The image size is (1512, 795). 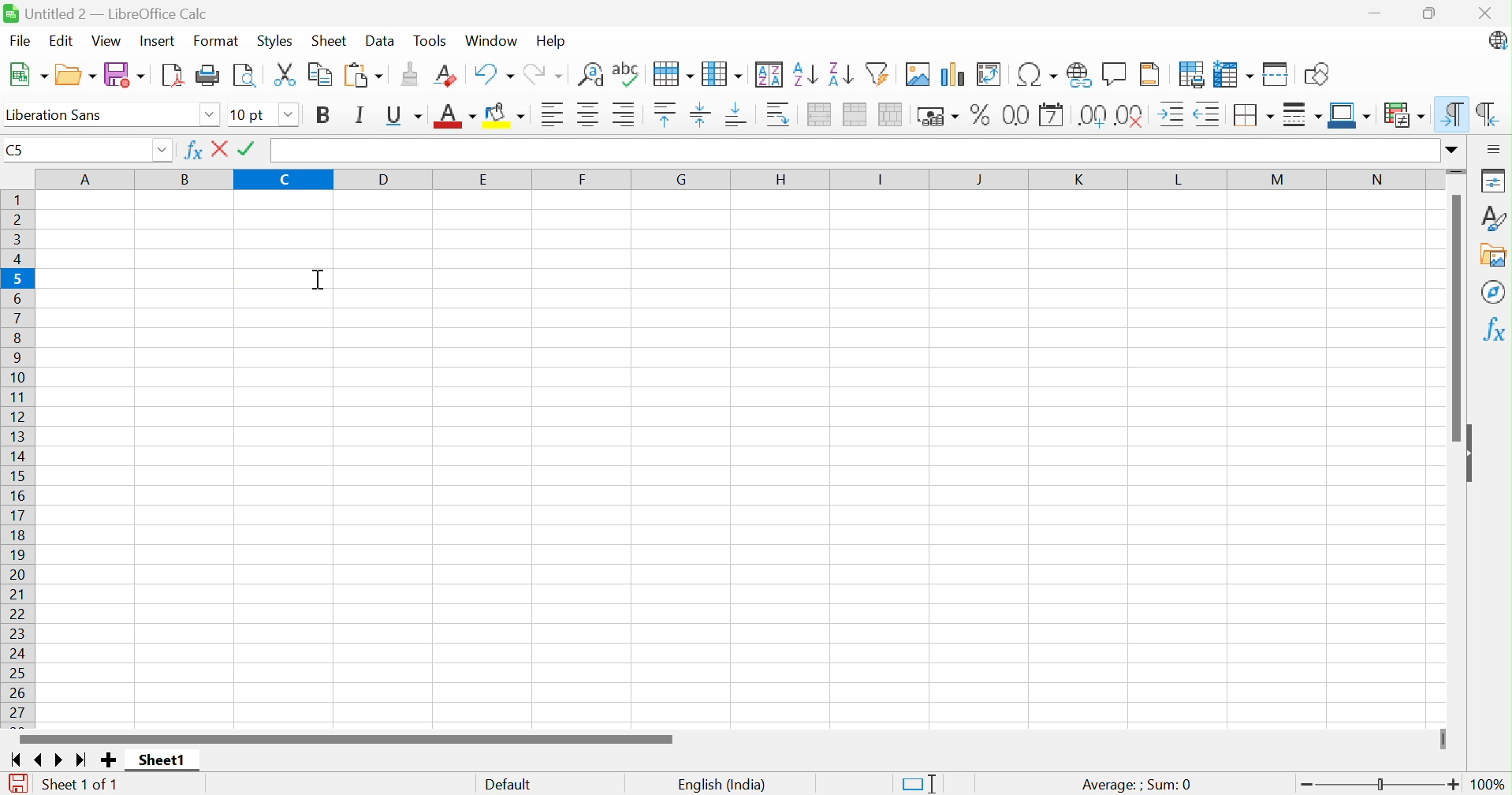 What do you see at coordinates (940, 117) in the screenshot?
I see `Format as currency` at bounding box center [940, 117].